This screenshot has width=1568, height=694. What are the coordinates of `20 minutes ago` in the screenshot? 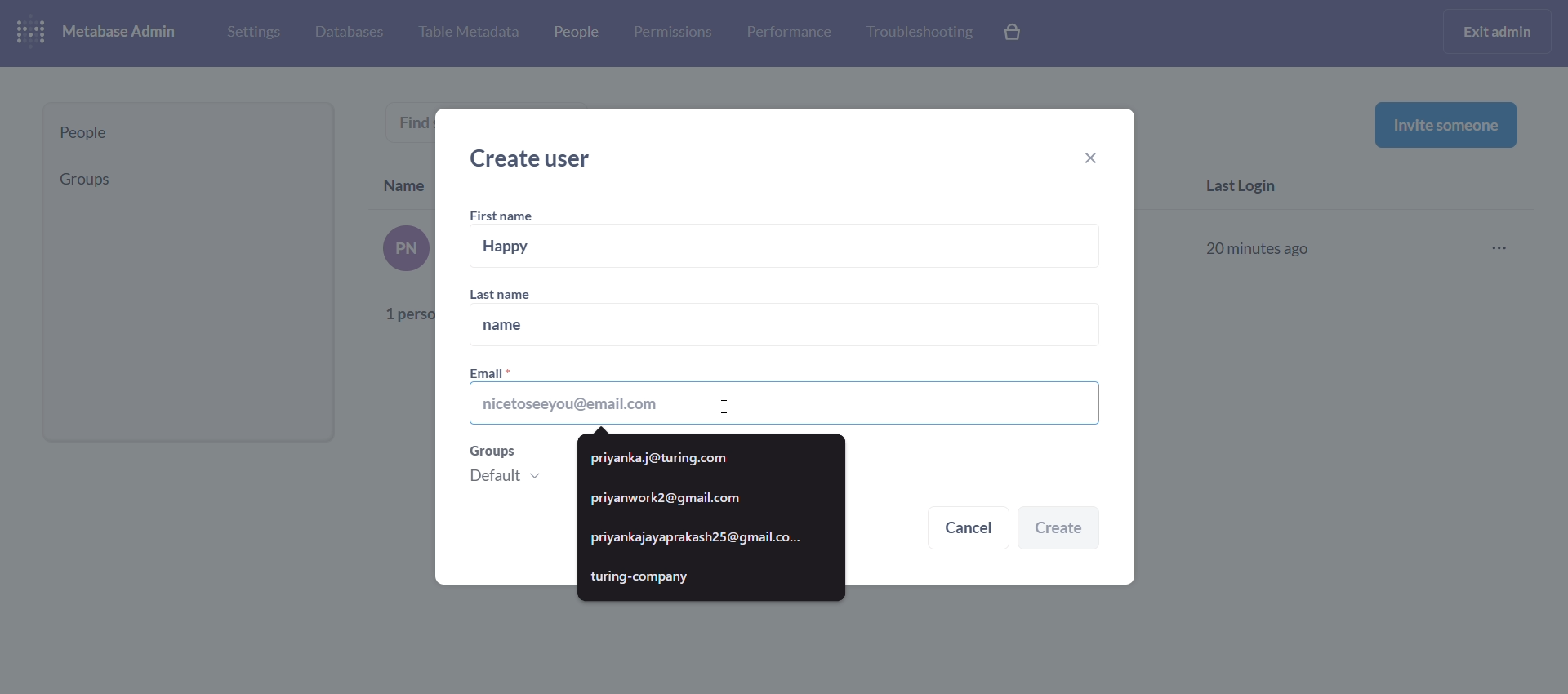 It's located at (1261, 246).